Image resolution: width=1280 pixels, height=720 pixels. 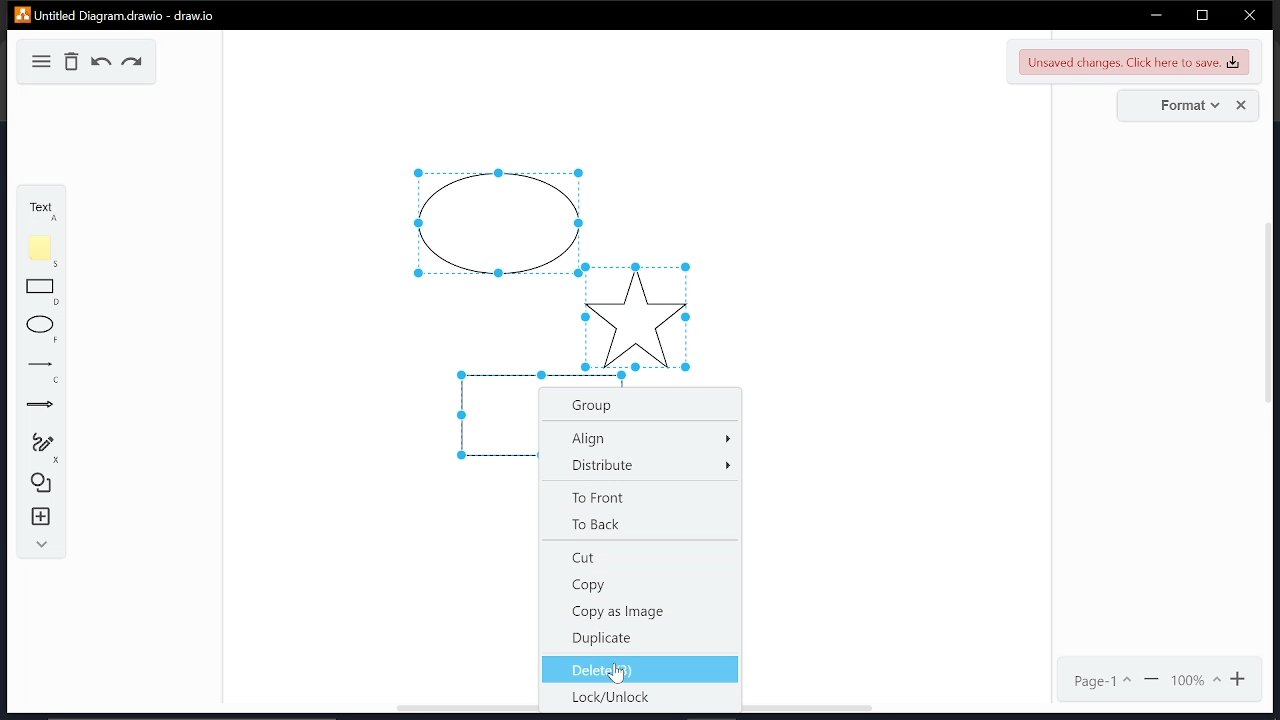 I want to click on zoom in, so click(x=1241, y=679).